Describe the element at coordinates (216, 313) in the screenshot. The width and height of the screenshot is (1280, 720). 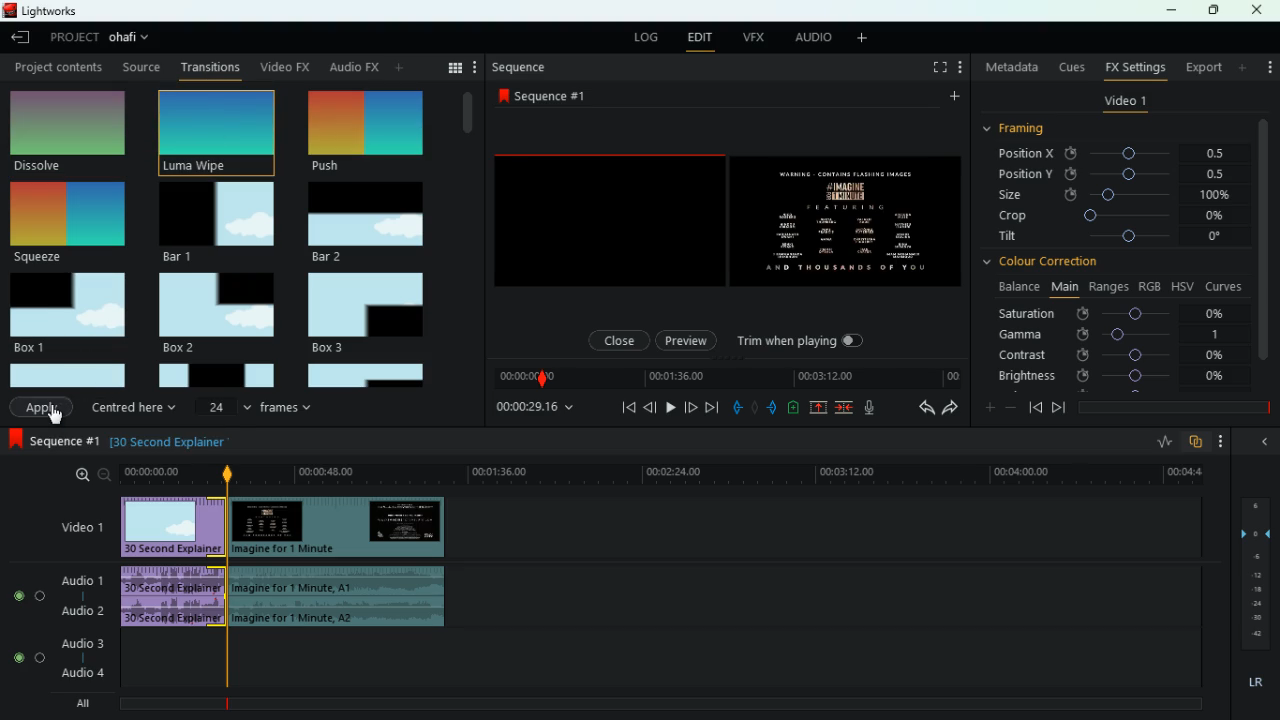
I see `box 2` at that location.